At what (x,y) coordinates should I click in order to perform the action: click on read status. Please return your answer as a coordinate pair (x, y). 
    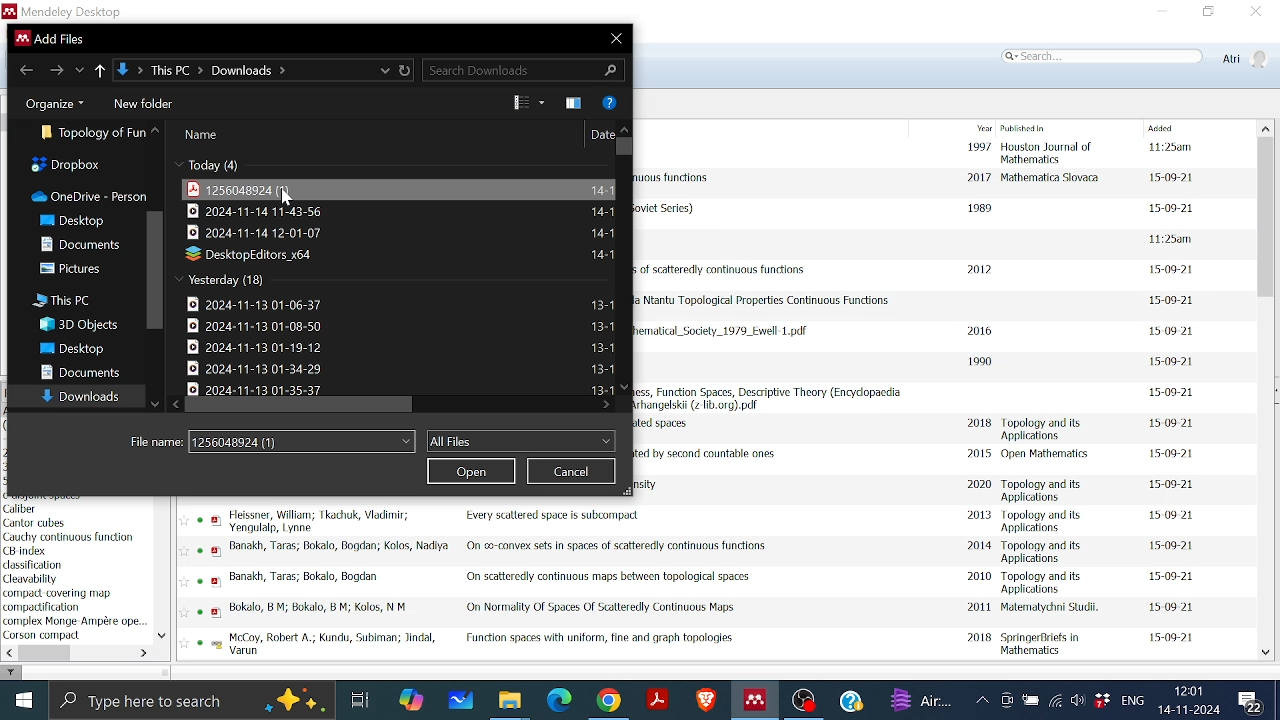
    Looking at the image, I should click on (204, 580).